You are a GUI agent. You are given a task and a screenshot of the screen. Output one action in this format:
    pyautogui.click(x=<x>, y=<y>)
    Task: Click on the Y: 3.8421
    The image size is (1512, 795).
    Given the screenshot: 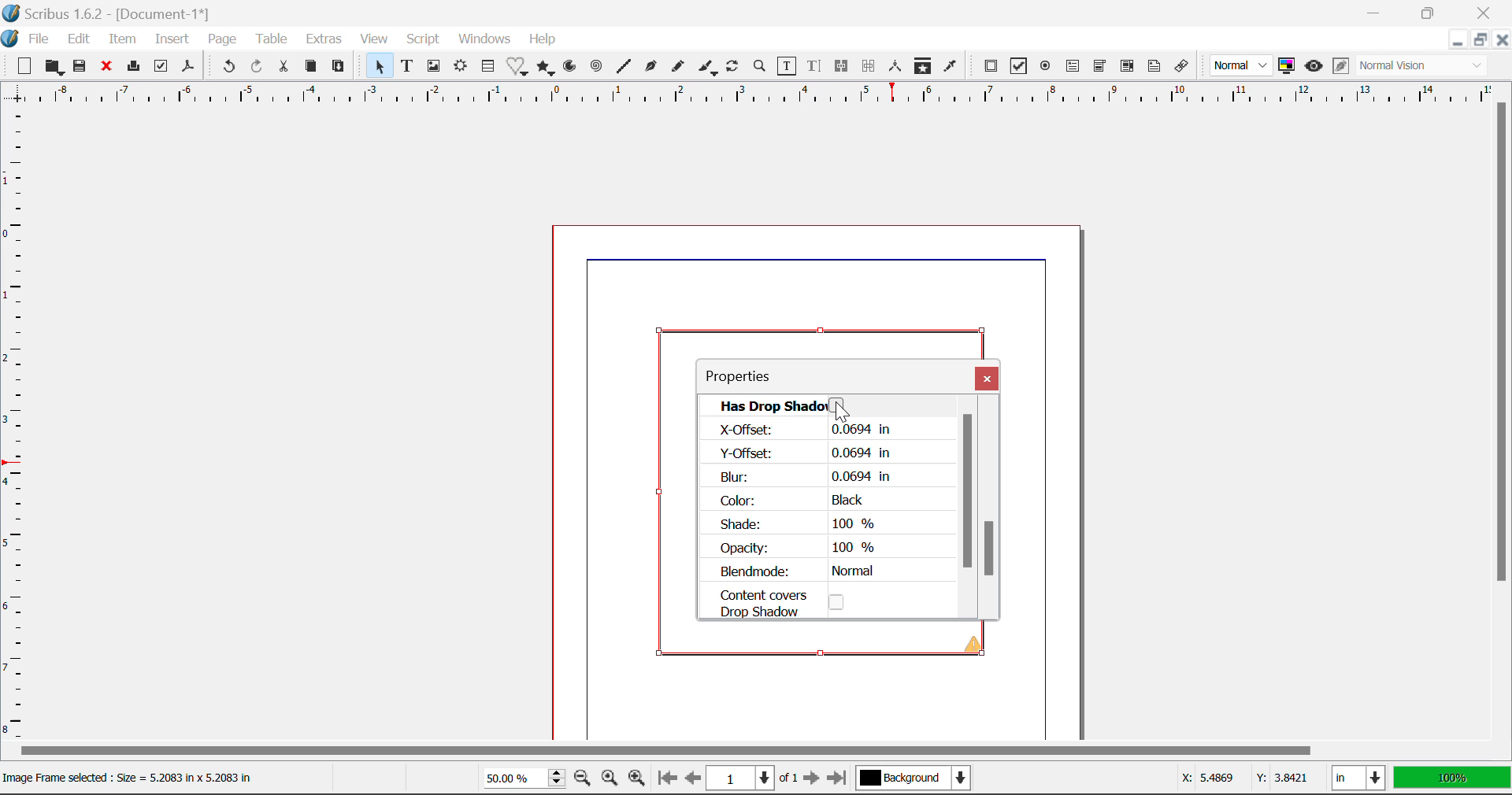 What is the action you would take?
    pyautogui.click(x=1282, y=779)
    